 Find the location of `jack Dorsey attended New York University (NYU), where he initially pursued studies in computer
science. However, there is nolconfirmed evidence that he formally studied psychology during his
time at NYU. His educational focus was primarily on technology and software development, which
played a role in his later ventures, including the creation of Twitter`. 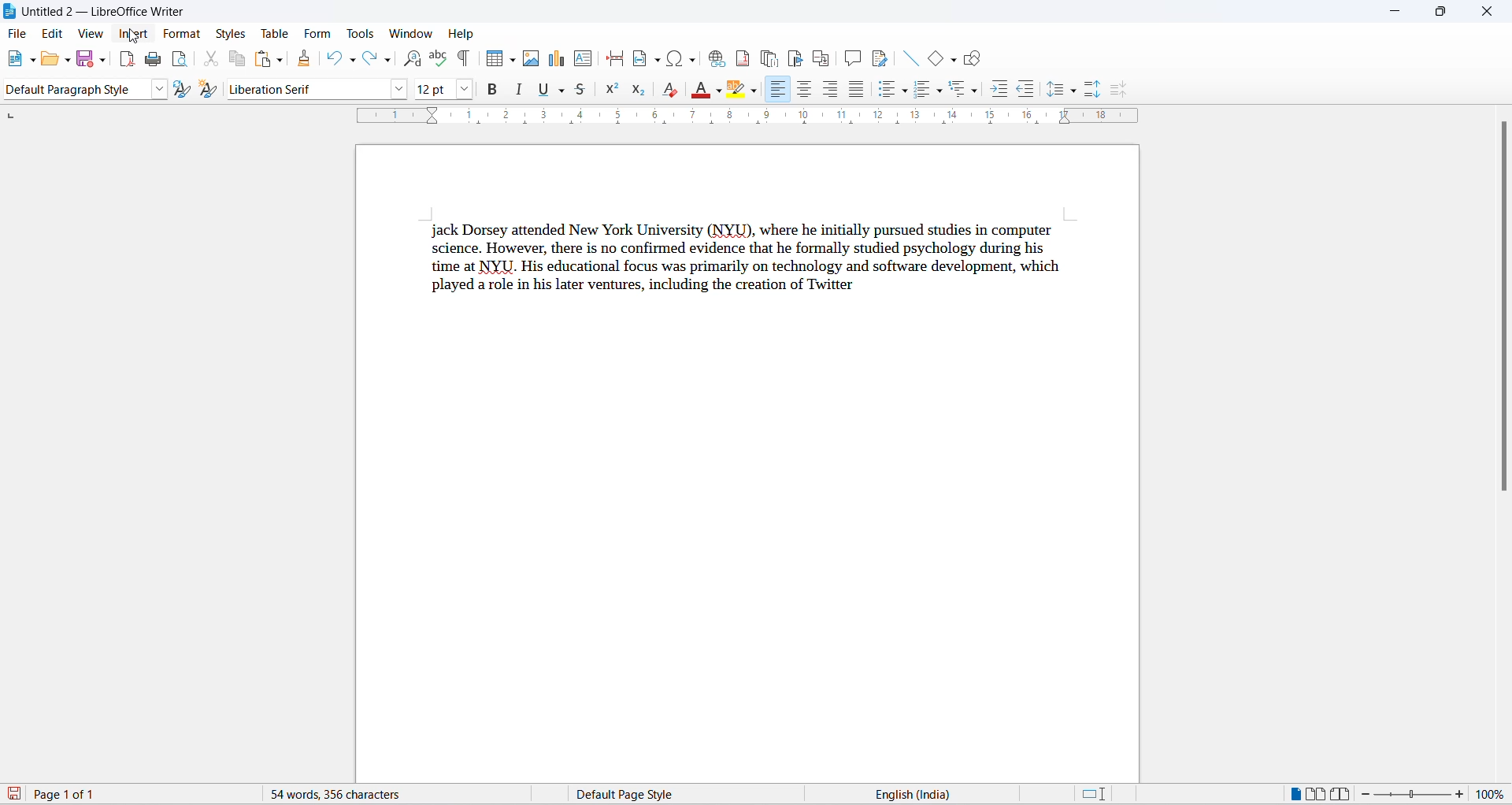

jack Dorsey attended New York University (NYU), where he initially pursued studies in computer
science. However, there is nolconfirmed evidence that he formally studied psychology during his
time at NYU. His educational focus was primarily on technology and software development, which
played a role in his later ventures, including the creation of Twitter is located at coordinates (748, 256).